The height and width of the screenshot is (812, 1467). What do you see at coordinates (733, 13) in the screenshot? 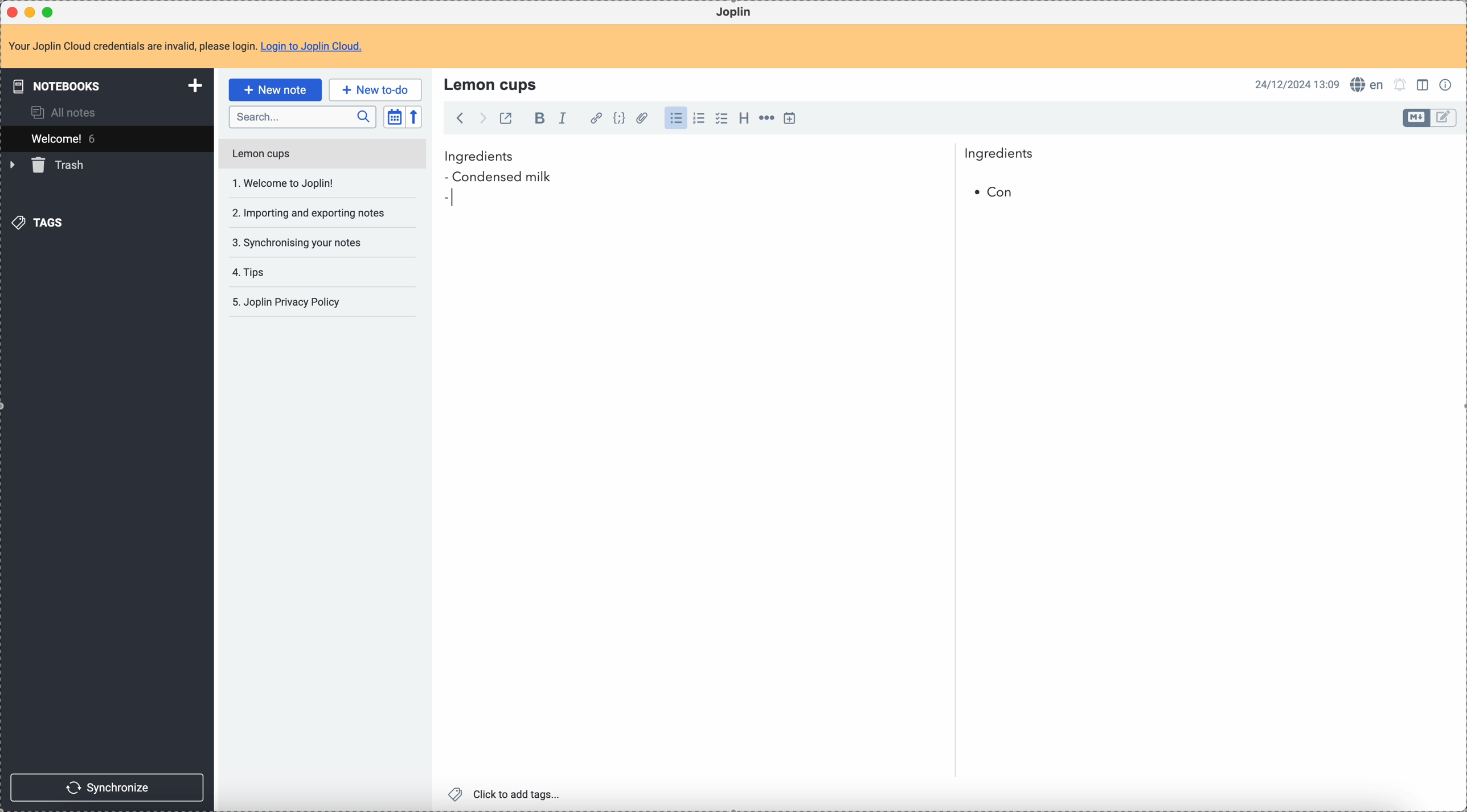
I see `Joplin` at bounding box center [733, 13].